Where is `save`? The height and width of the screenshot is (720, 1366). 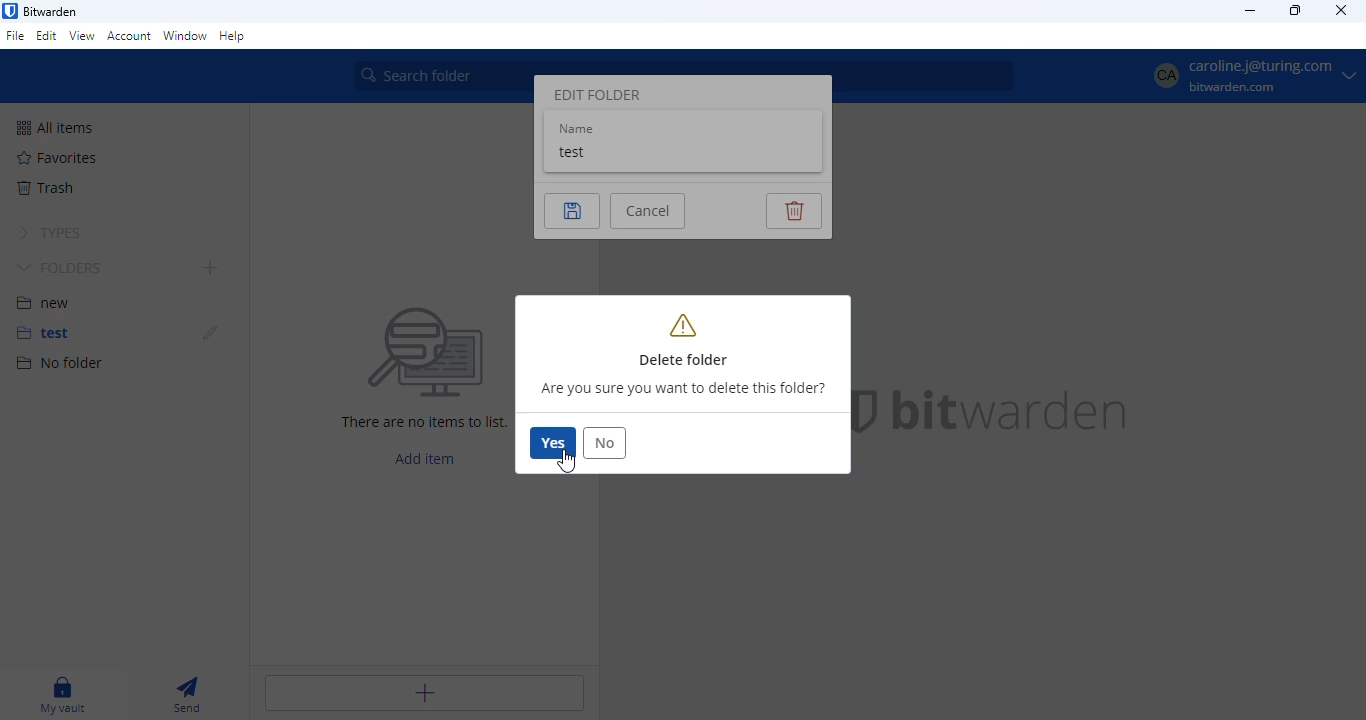 save is located at coordinates (570, 211).